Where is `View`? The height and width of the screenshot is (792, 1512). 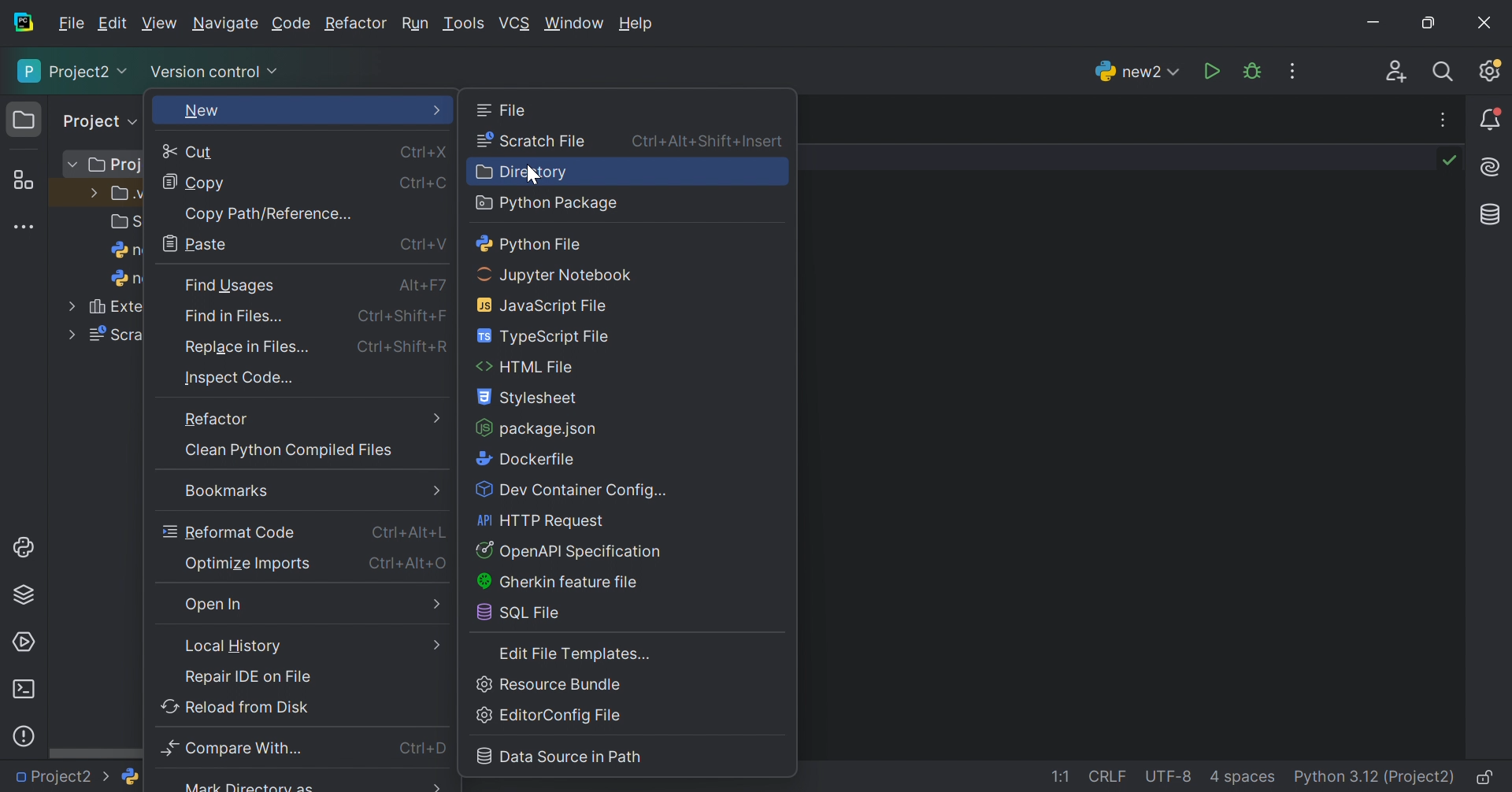 View is located at coordinates (160, 25).